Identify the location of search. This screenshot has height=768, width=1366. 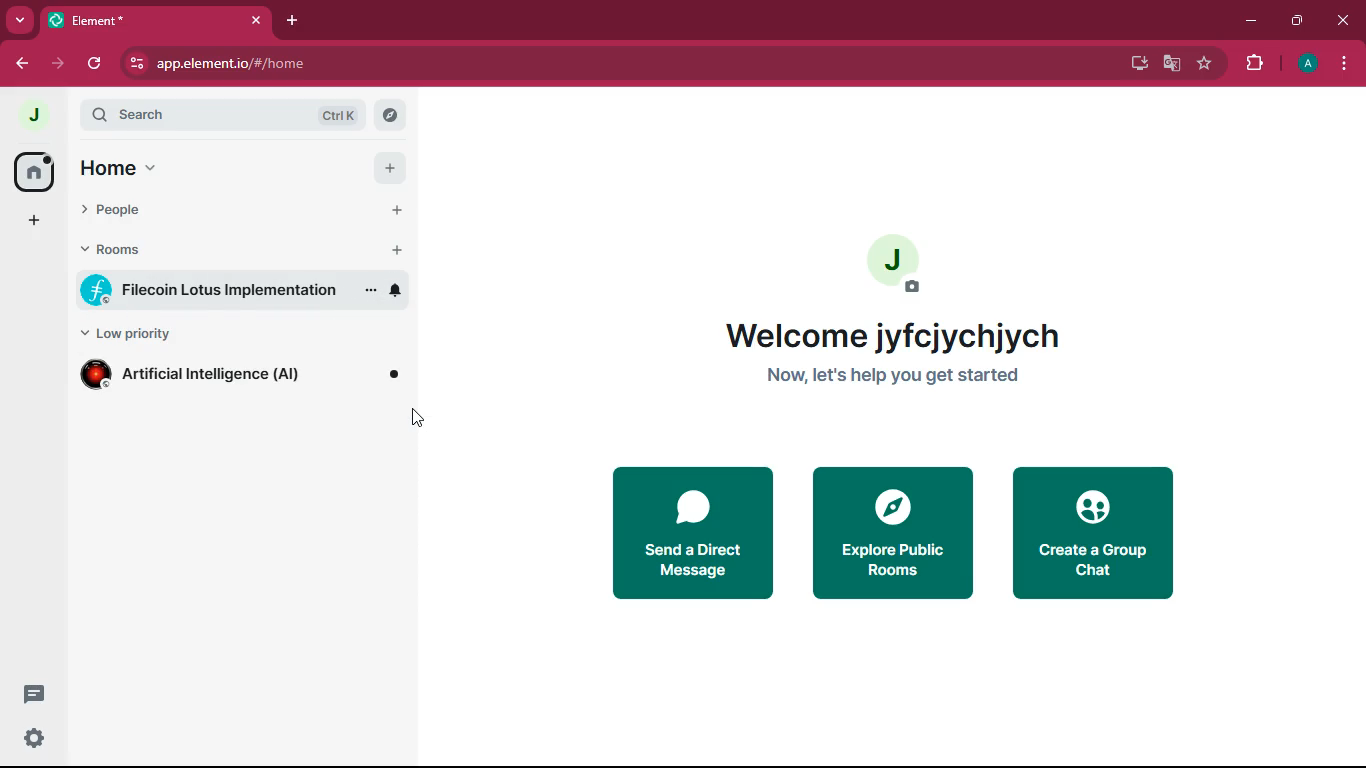
(389, 116).